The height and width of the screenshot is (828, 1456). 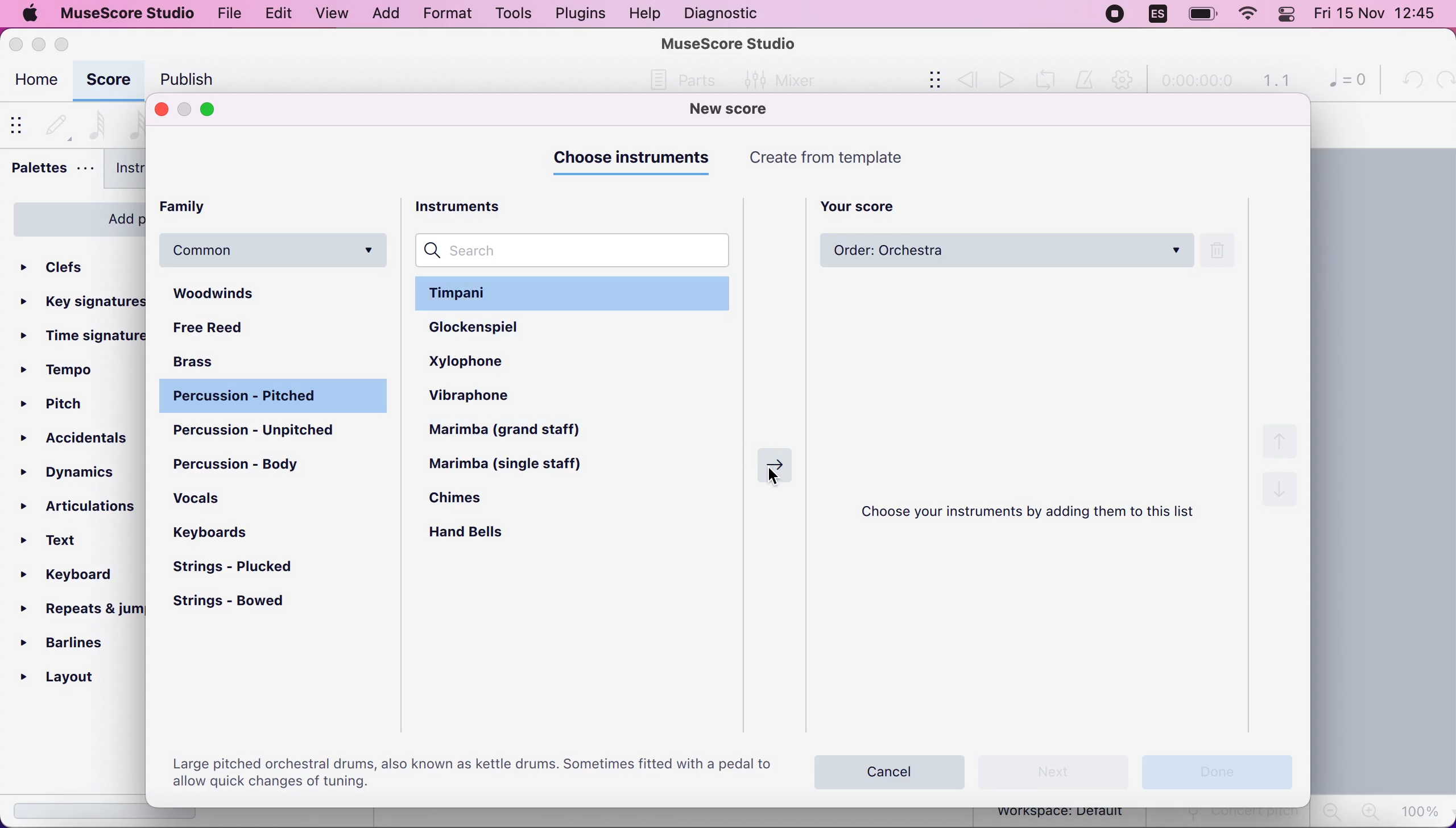 What do you see at coordinates (891, 769) in the screenshot?
I see `cancel` at bounding box center [891, 769].